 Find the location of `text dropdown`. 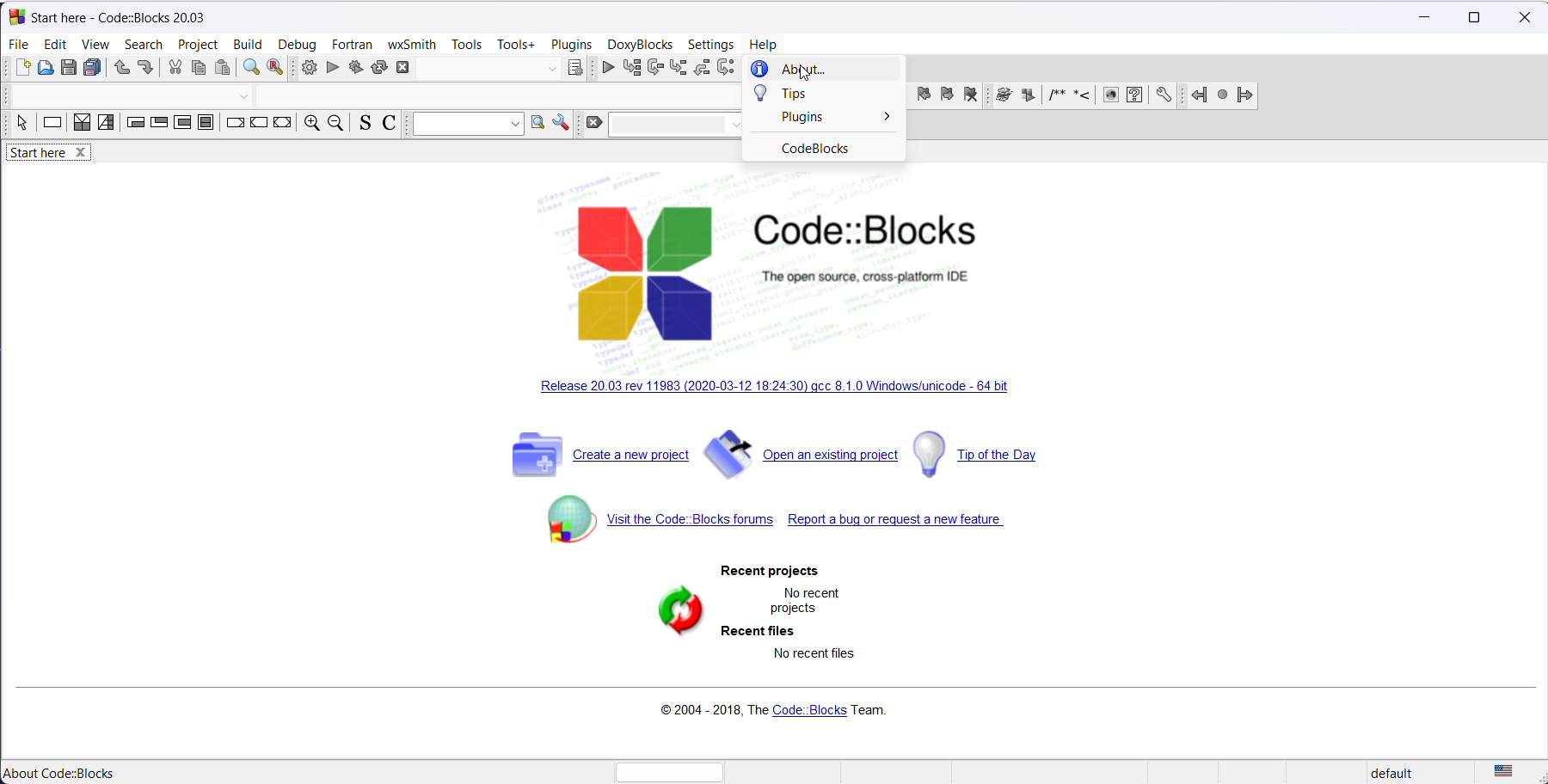

text dropdown is located at coordinates (678, 126).